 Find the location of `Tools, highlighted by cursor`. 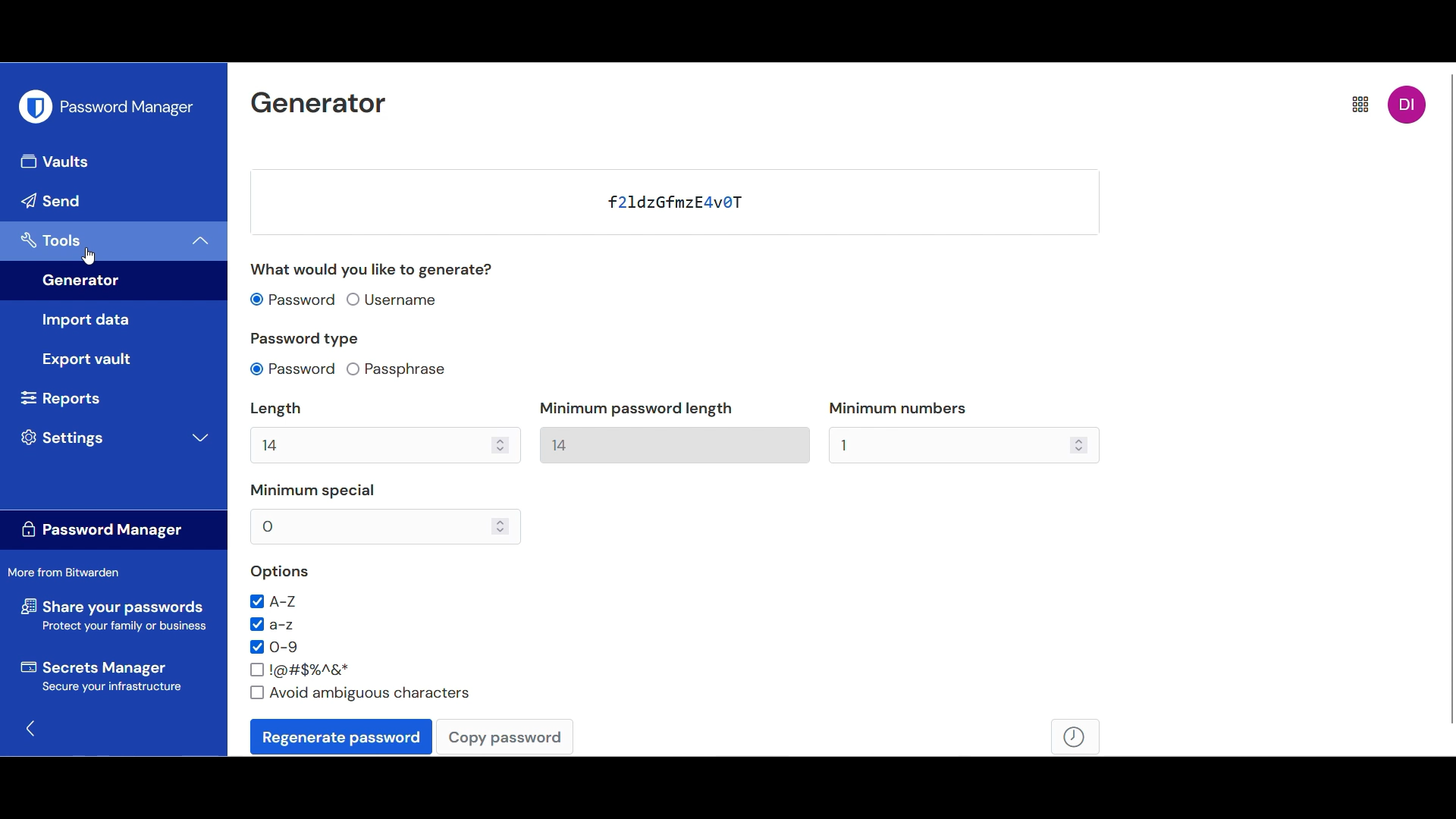

Tools, highlighted by cursor is located at coordinates (93, 242).